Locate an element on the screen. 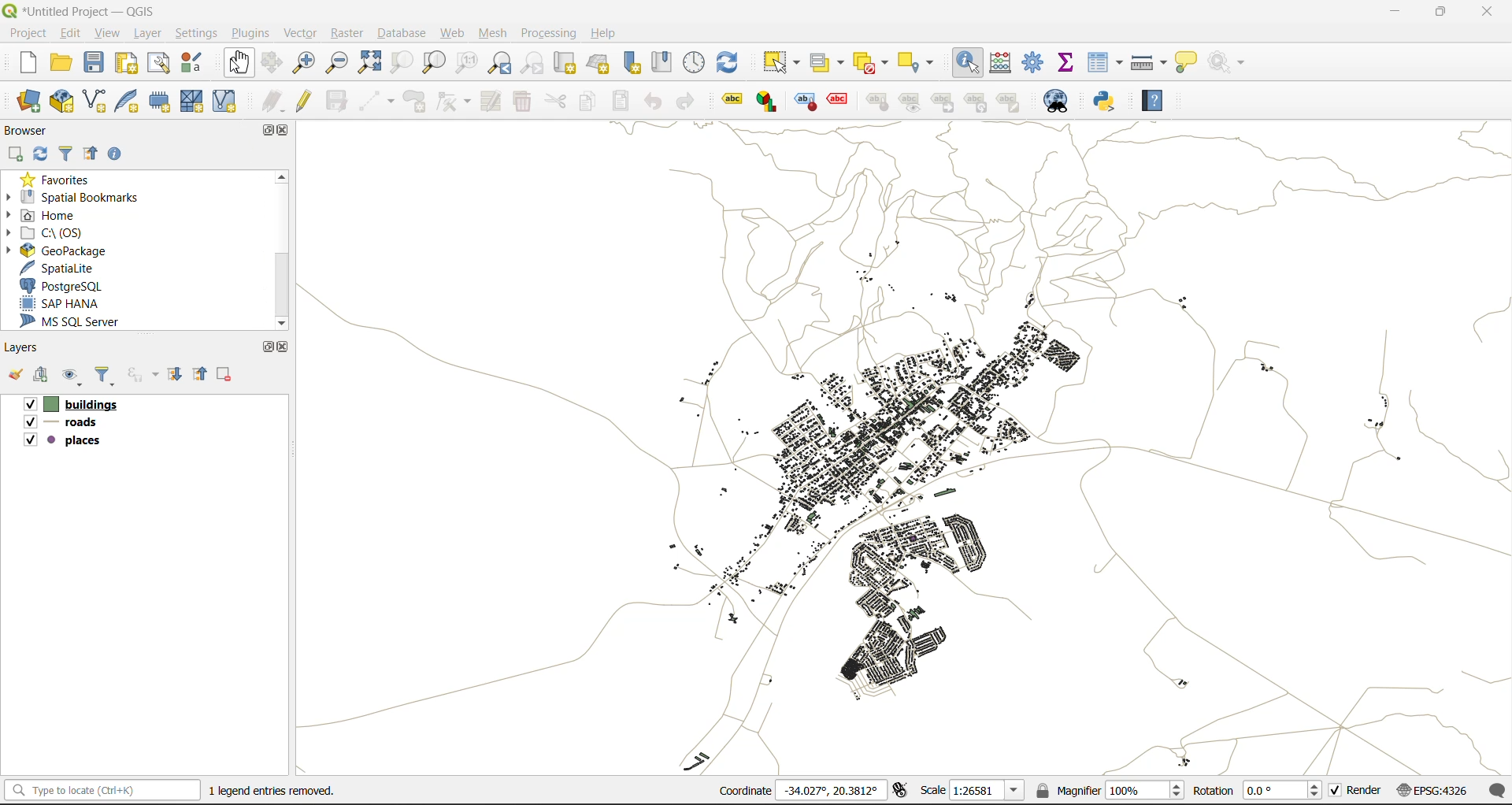 Image resolution: width=1512 pixels, height=805 pixels. Preview is located at coordinates (913, 102).